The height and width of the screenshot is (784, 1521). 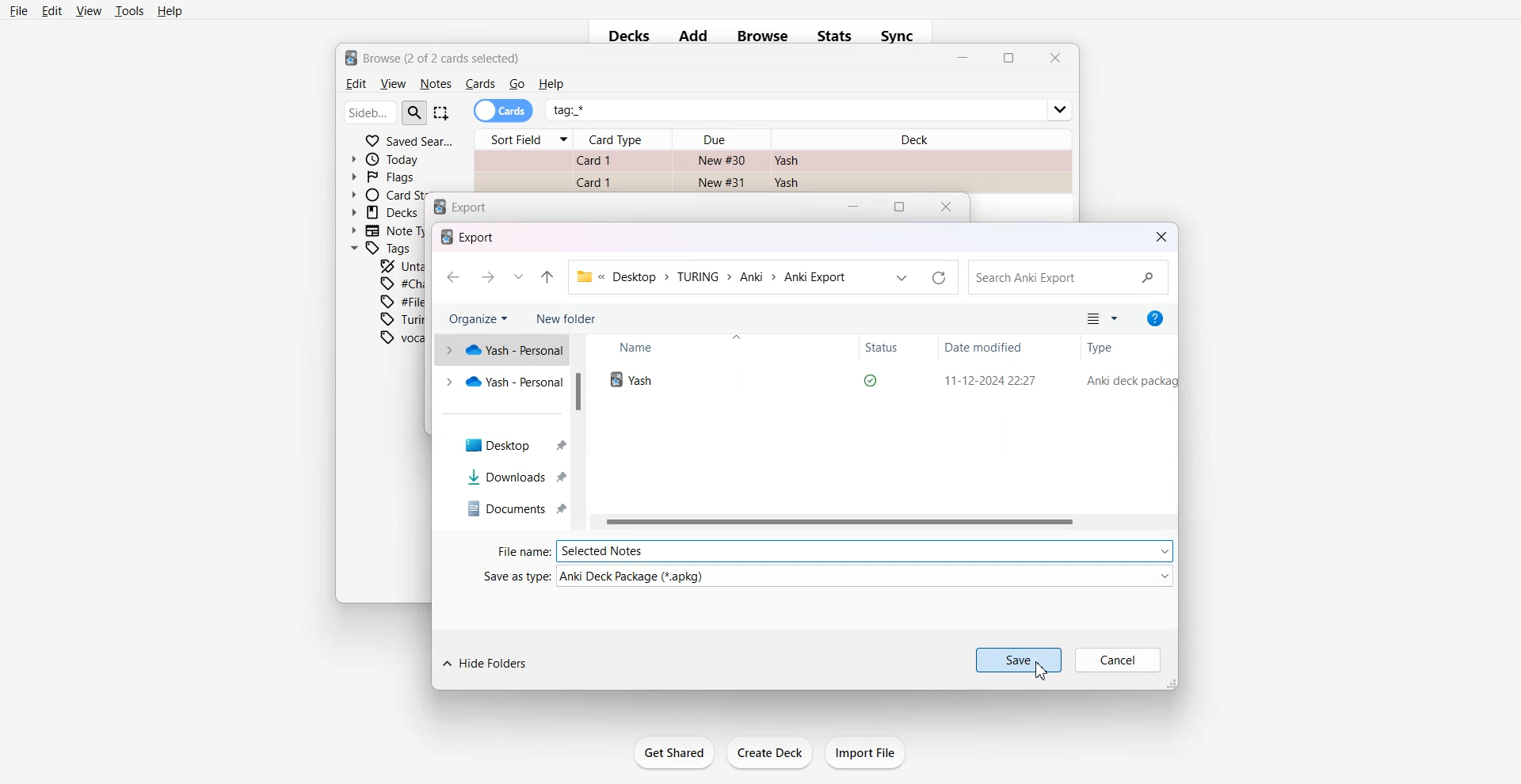 I want to click on Create Deck, so click(x=770, y=753).